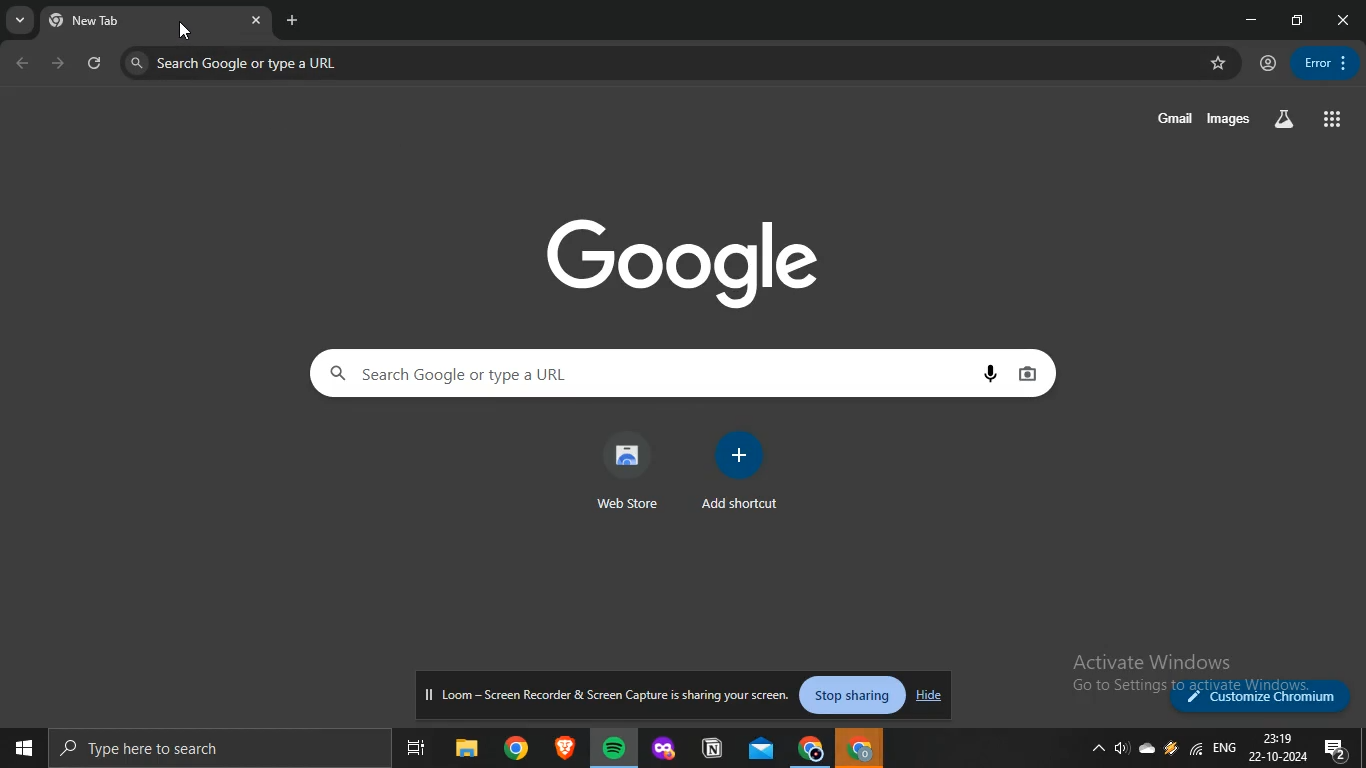  What do you see at coordinates (139, 20) in the screenshot?
I see `current tab` at bounding box center [139, 20].